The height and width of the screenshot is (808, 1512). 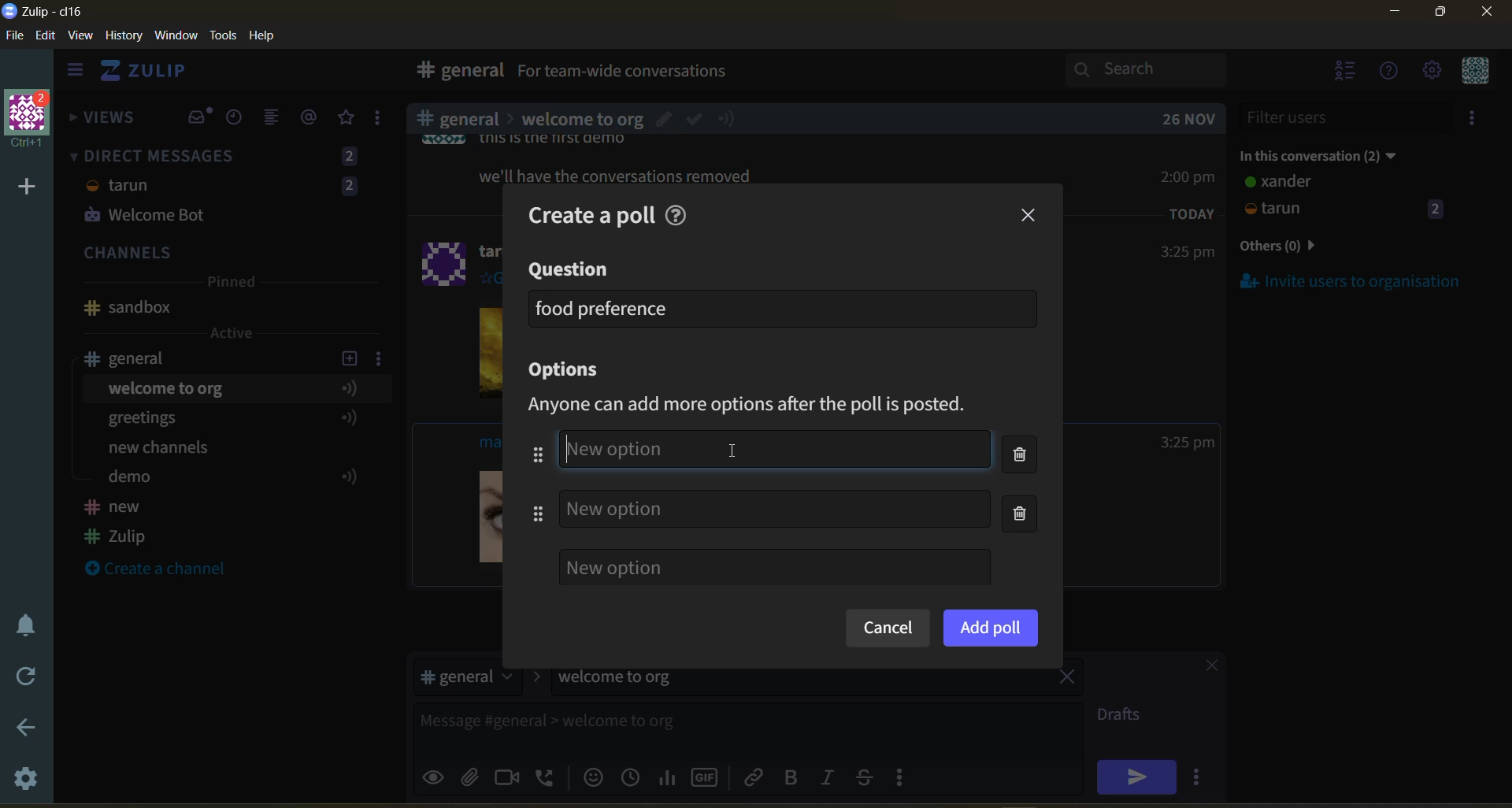 What do you see at coordinates (1346, 198) in the screenshot?
I see `users and status` at bounding box center [1346, 198].